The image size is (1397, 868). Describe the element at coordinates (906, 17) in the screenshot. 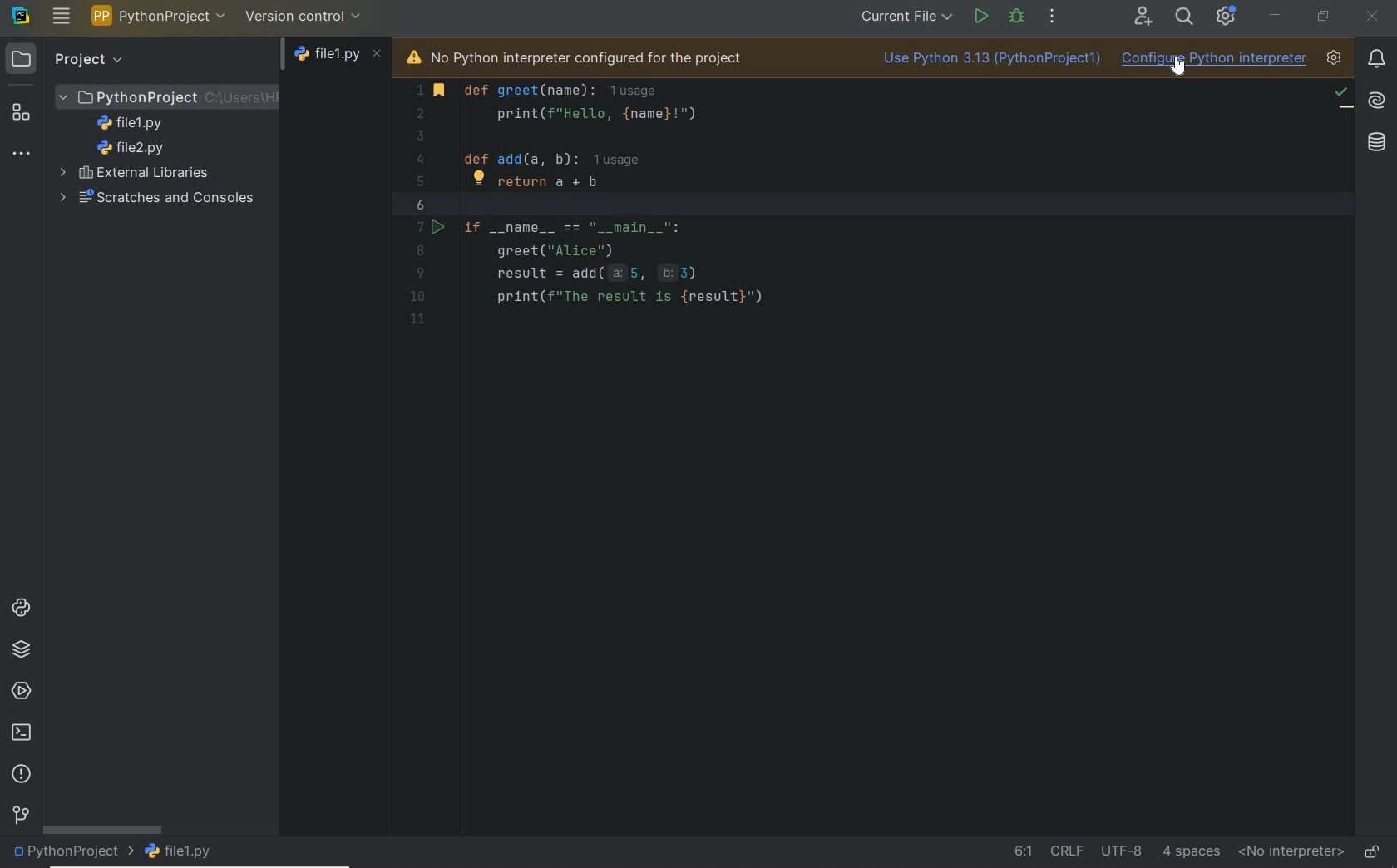

I see `current file` at that location.